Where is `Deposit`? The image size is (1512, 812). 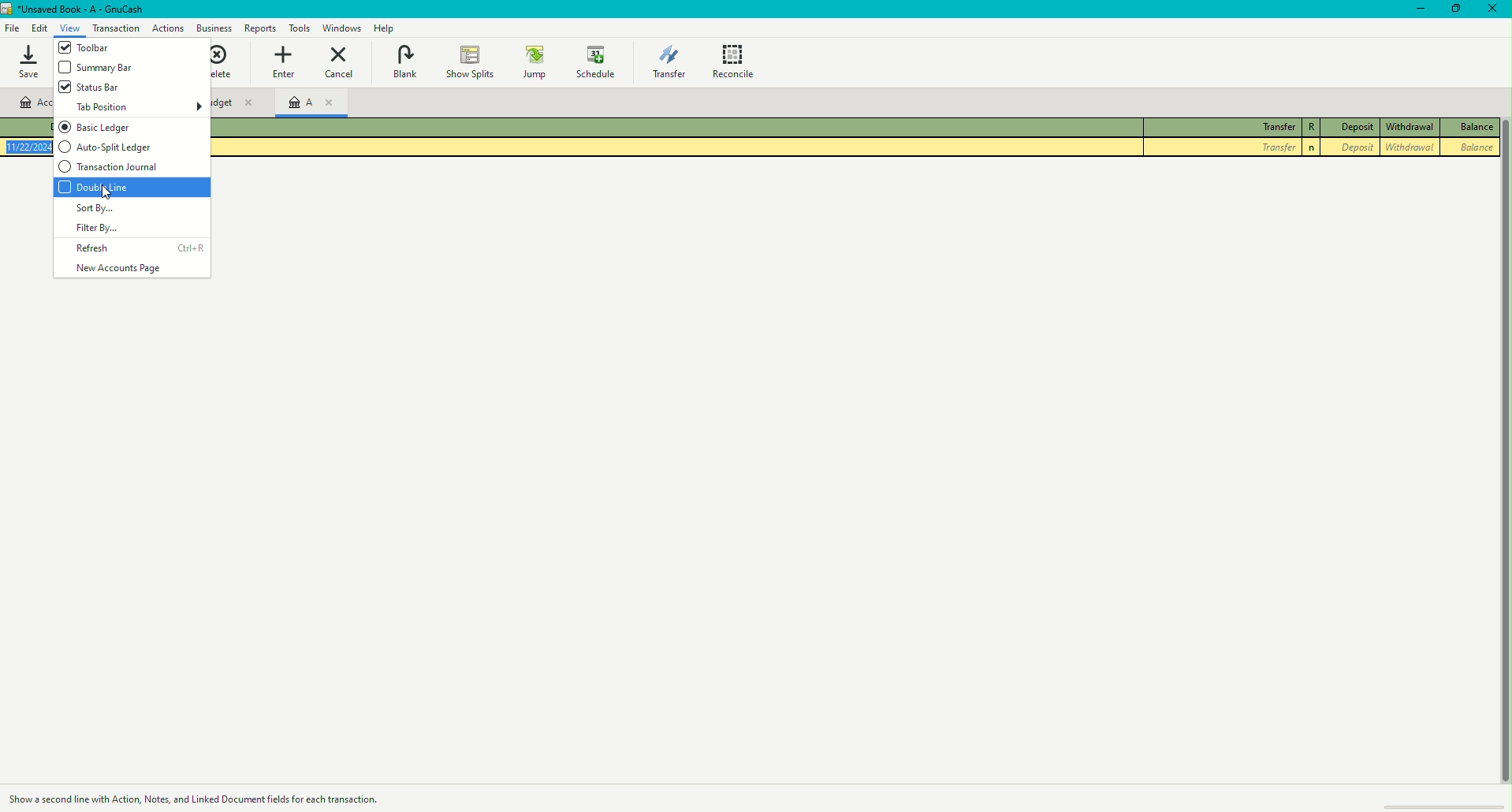 Deposit is located at coordinates (1350, 147).